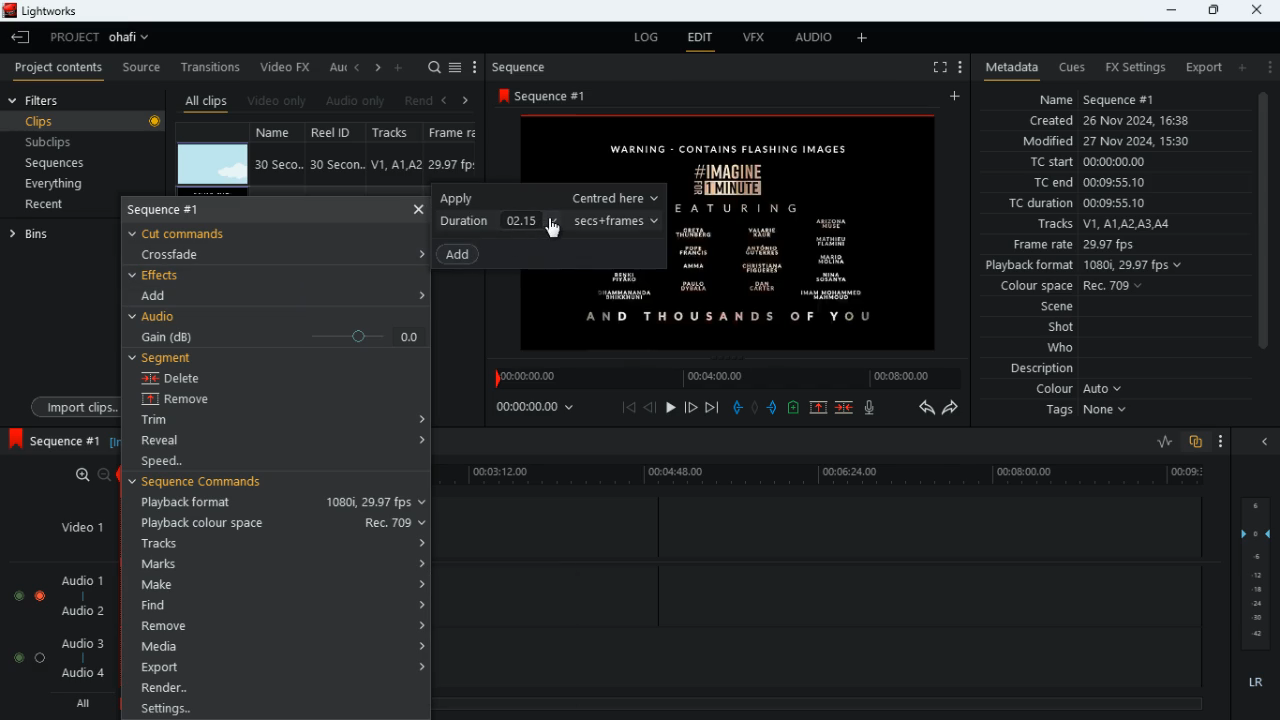 The image size is (1280, 720). What do you see at coordinates (47, 12) in the screenshot?
I see `lightworks` at bounding box center [47, 12].